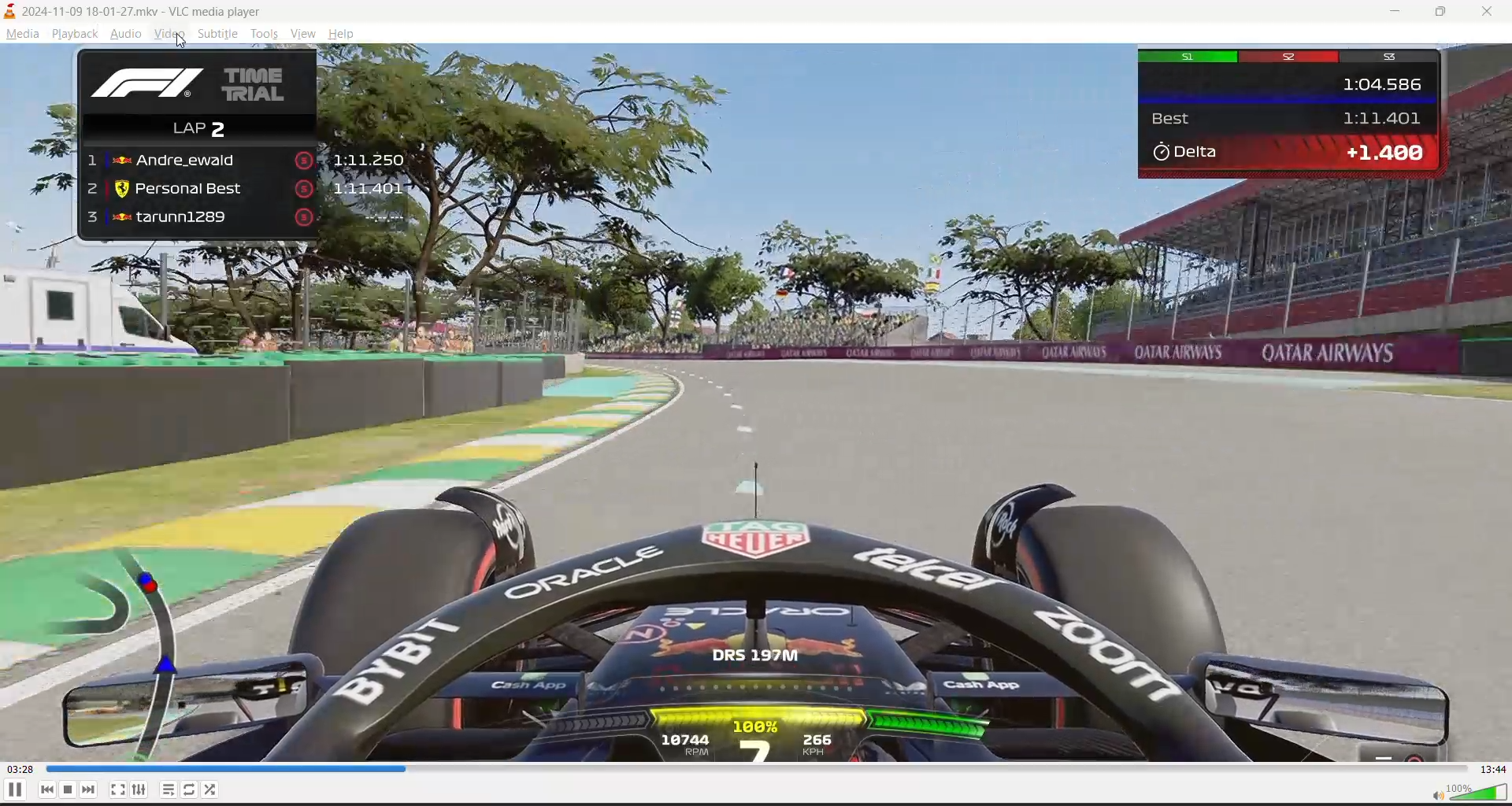 This screenshot has height=806, width=1512. I want to click on media, so click(28, 35).